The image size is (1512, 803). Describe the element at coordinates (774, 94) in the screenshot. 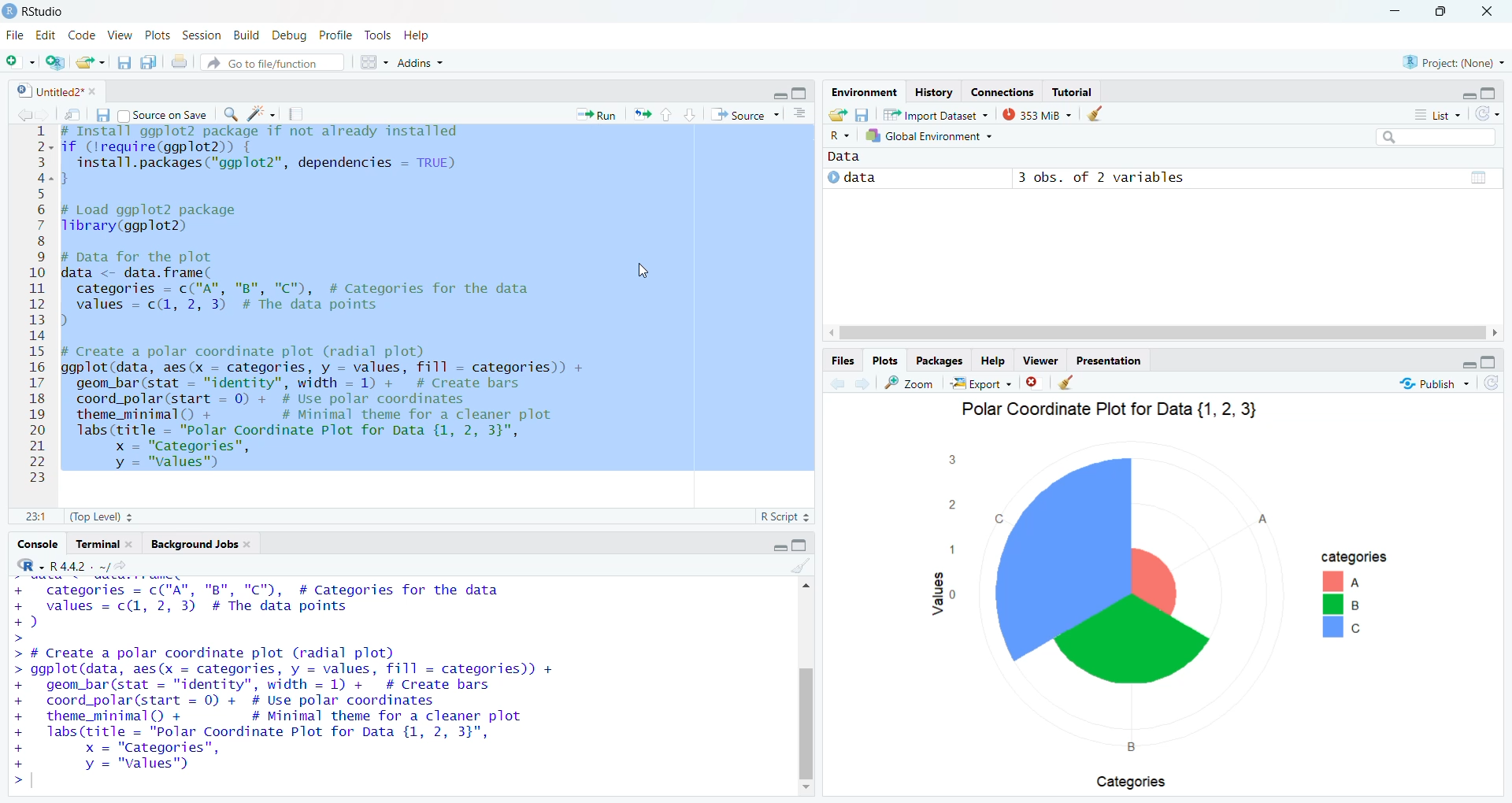

I see `close r script` at that location.